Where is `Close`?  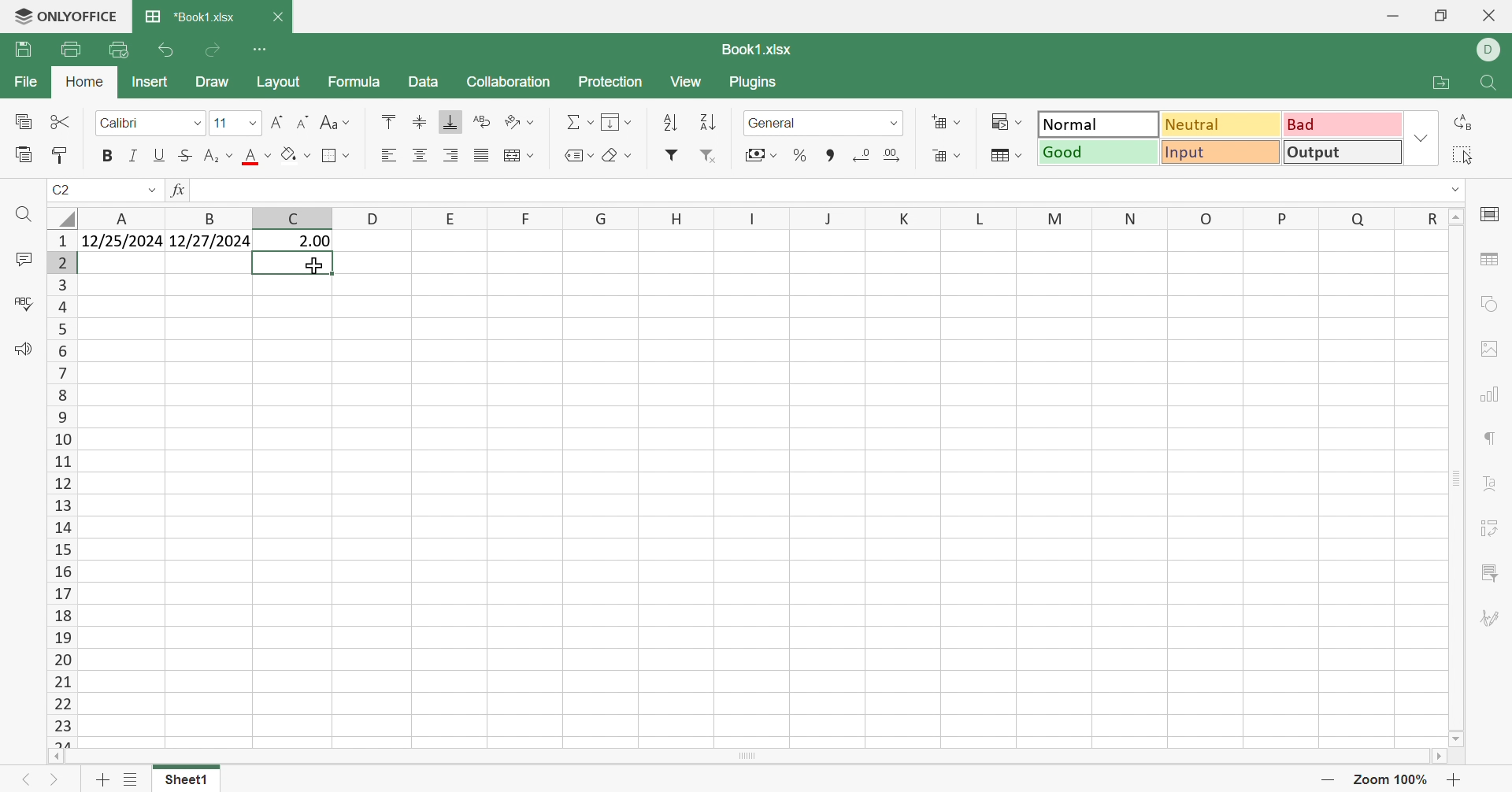
Close is located at coordinates (281, 16).